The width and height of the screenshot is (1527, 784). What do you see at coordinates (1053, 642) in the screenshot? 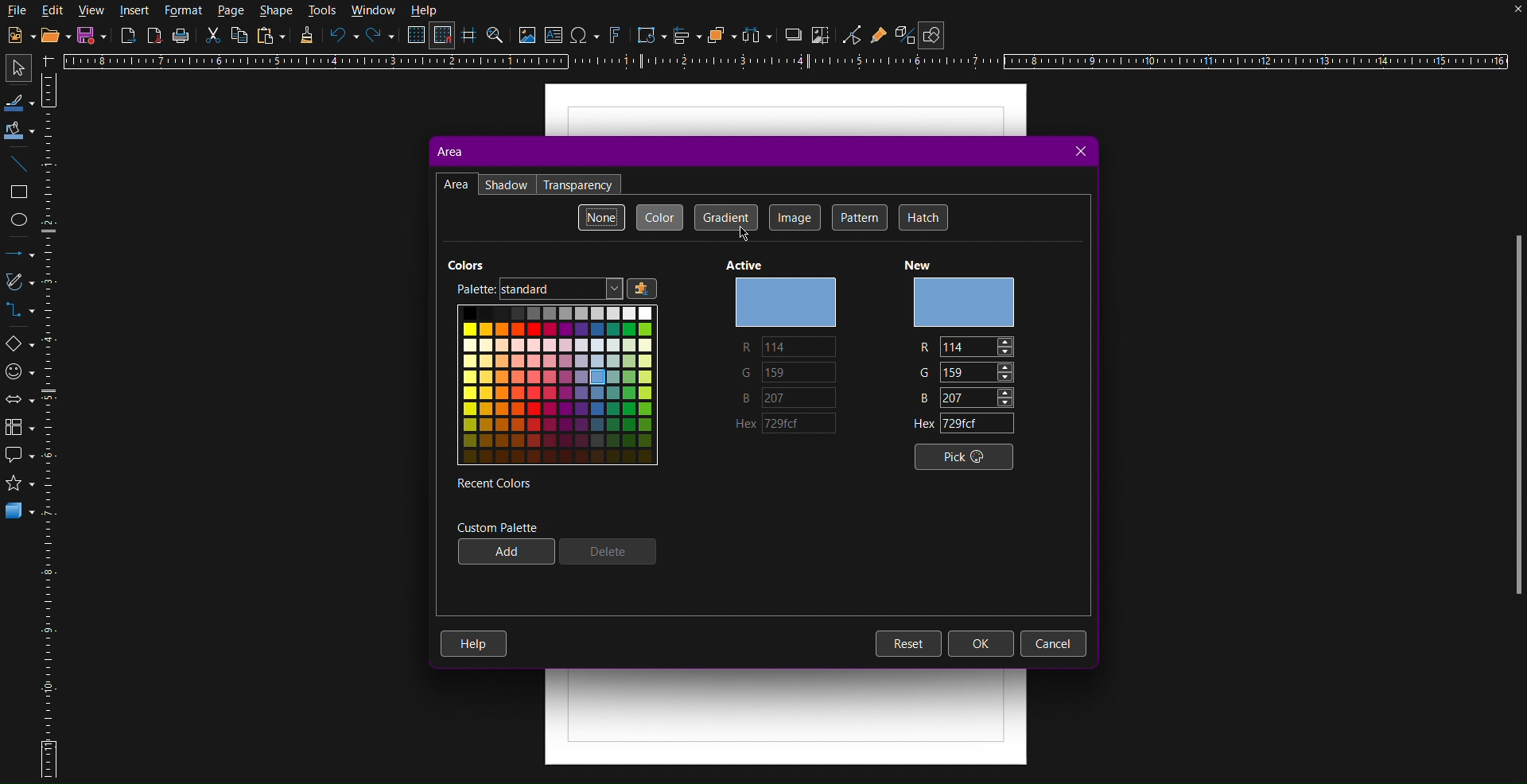
I see `Cancel` at bounding box center [1053, 642].